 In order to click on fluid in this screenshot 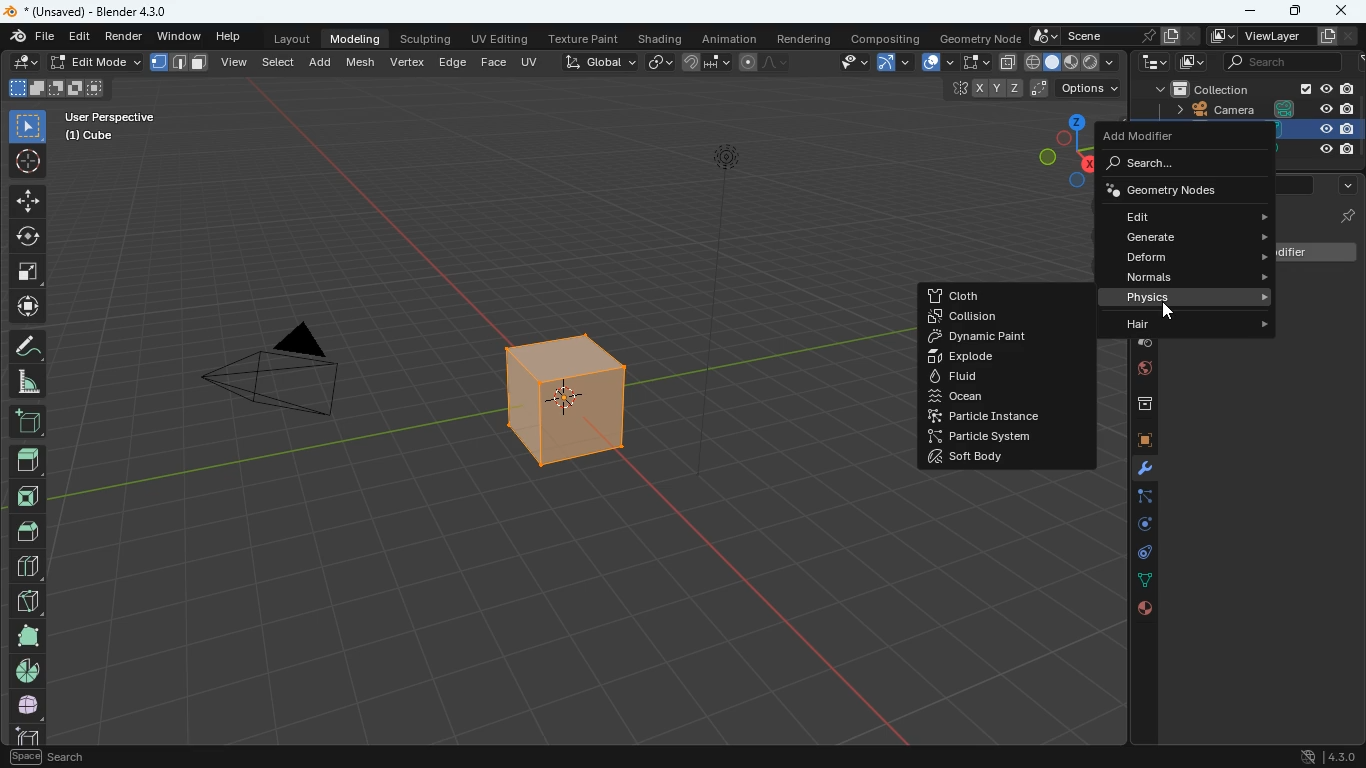, I will do `click(1002, 376)`.